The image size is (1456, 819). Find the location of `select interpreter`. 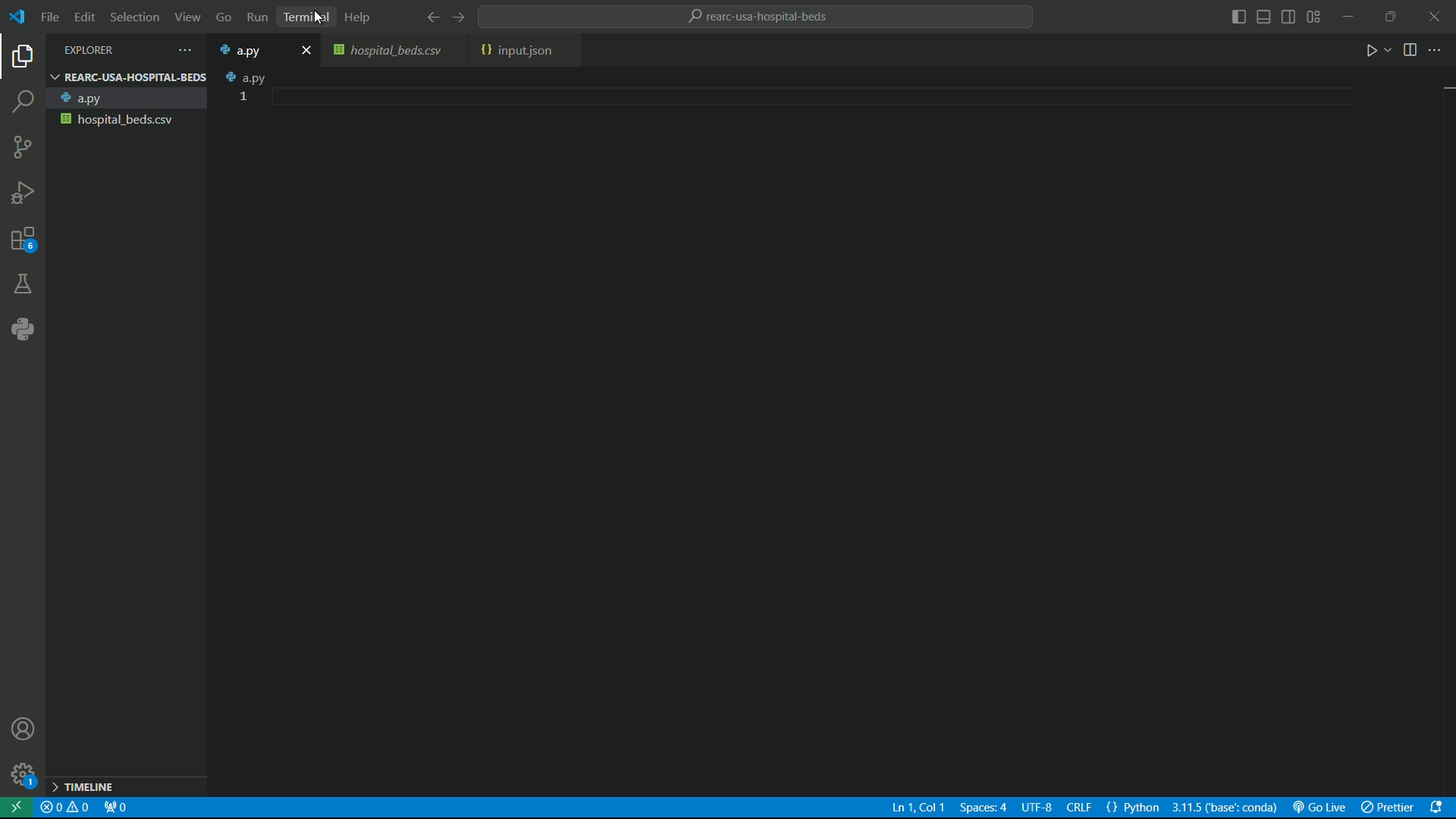

select interpreter is located at coordinates (1226, 808).